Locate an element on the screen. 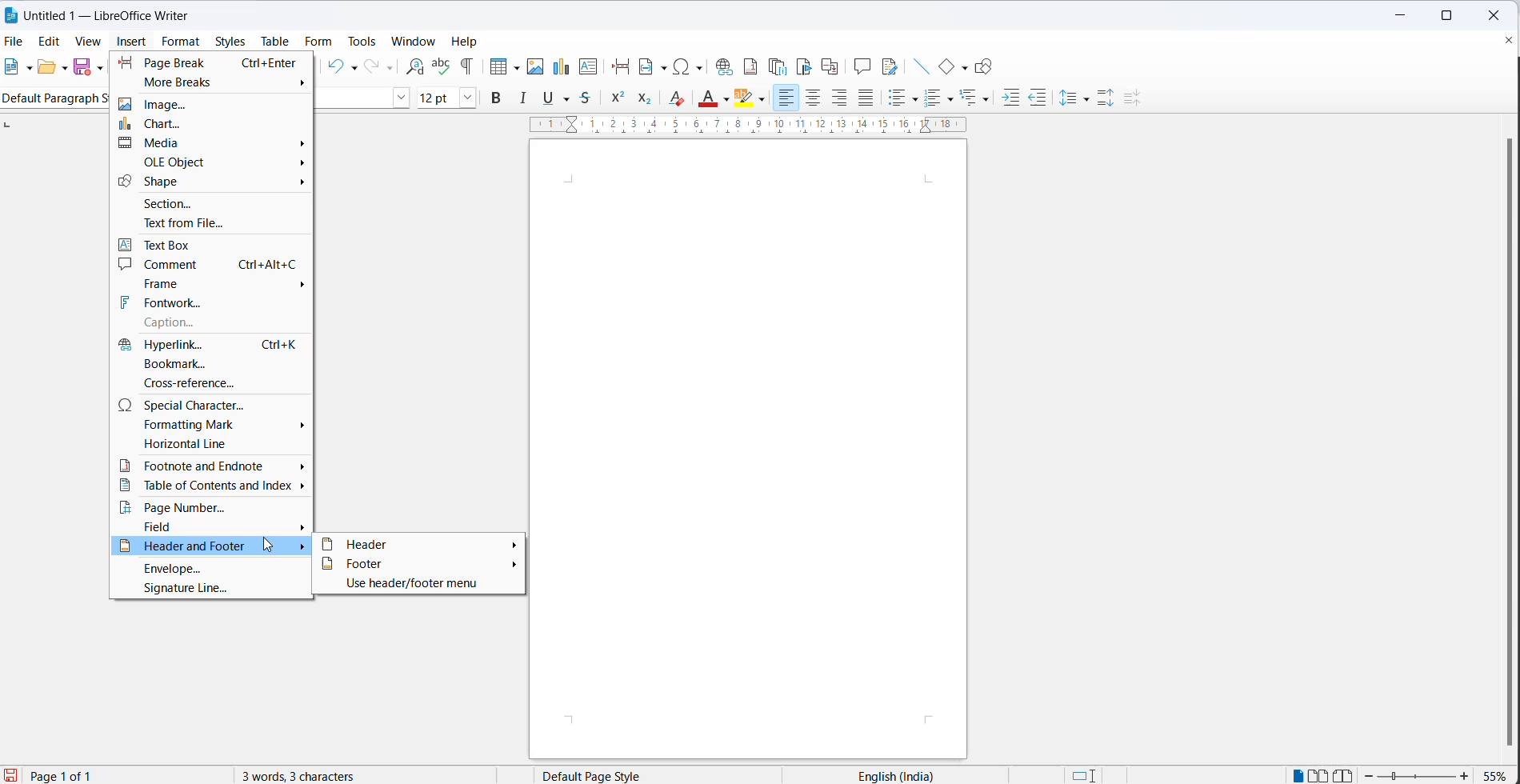  more breaks is located at coordinates (211, 82).